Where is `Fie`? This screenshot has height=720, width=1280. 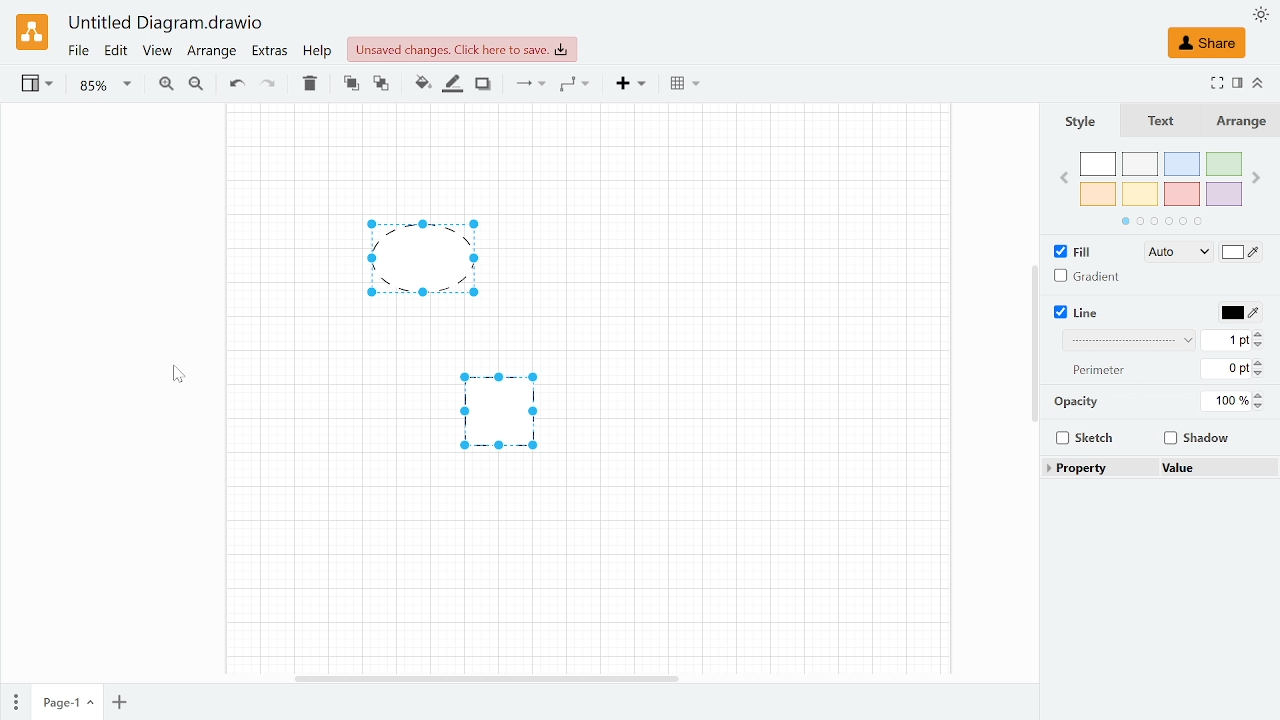 Fie is located at coordinates (78, 52).